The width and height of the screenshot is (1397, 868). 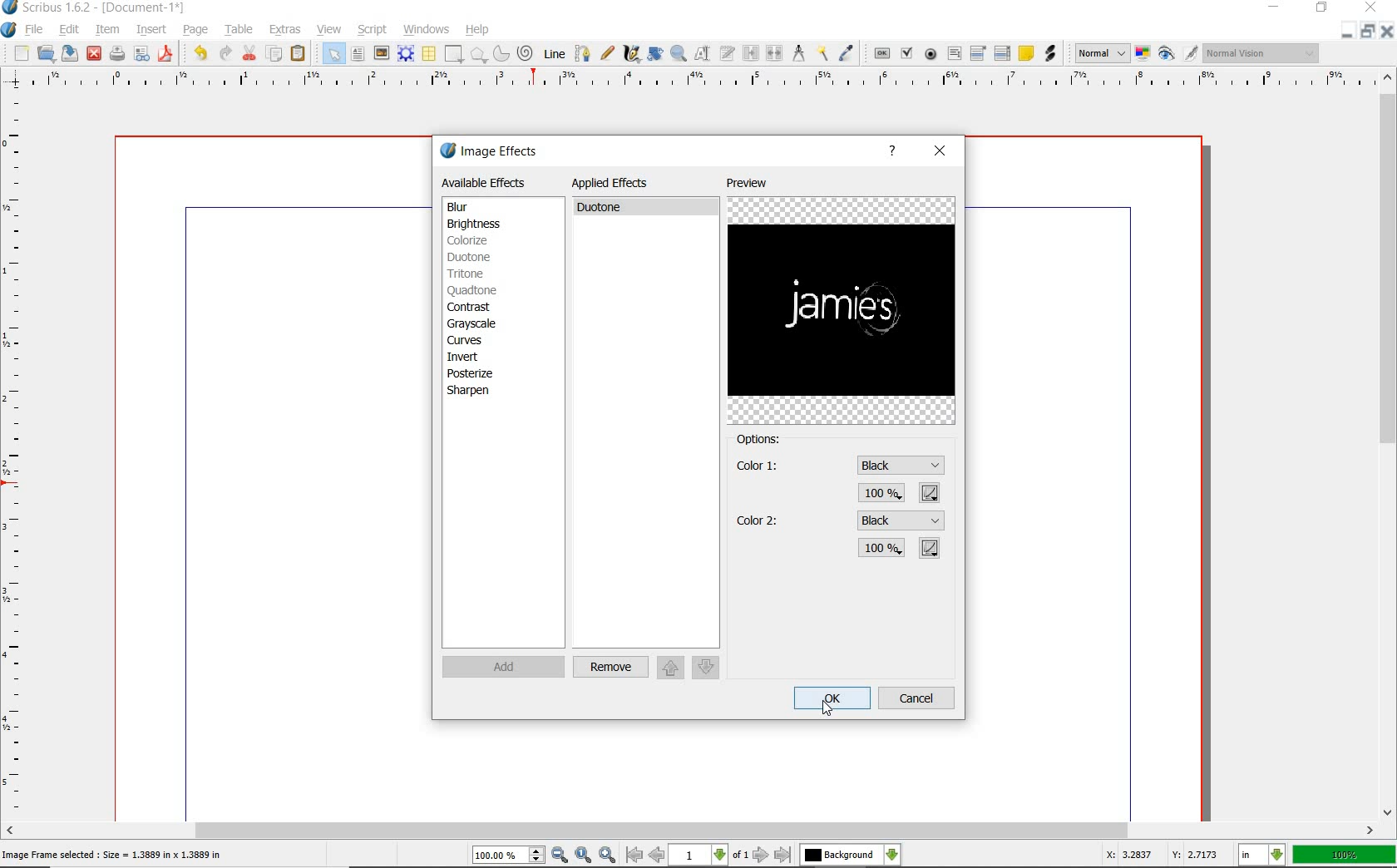 What do you see at coordinates (842, 538) in the screenshot?
I see `color 2 settings` at bounding box center [842, 538].